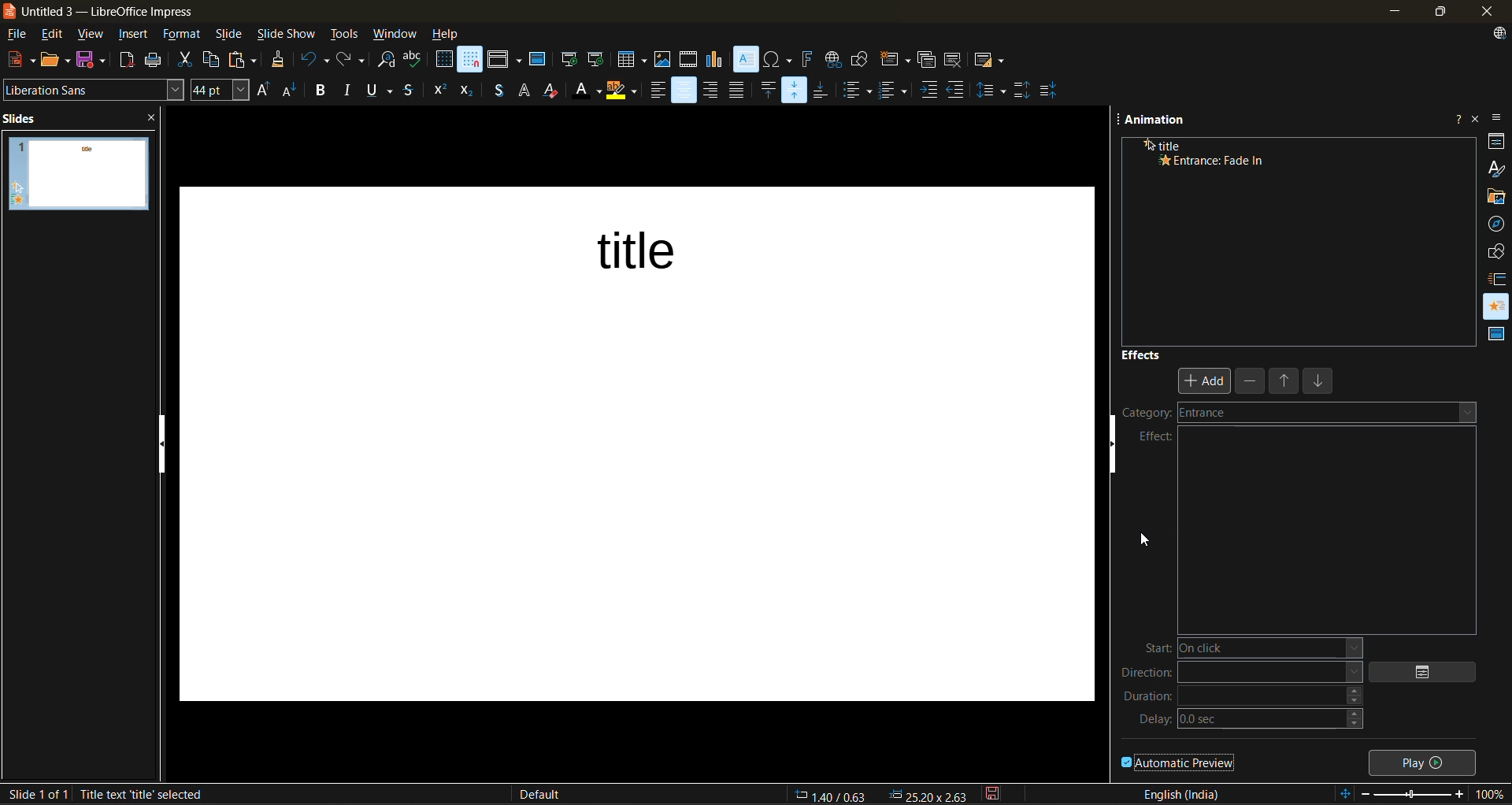 The height and width of the screenshot is (805, 1512). What do you see at coordinates (711, 91) in the screenshot?
I see `align right` at bounding box center [711, 91].